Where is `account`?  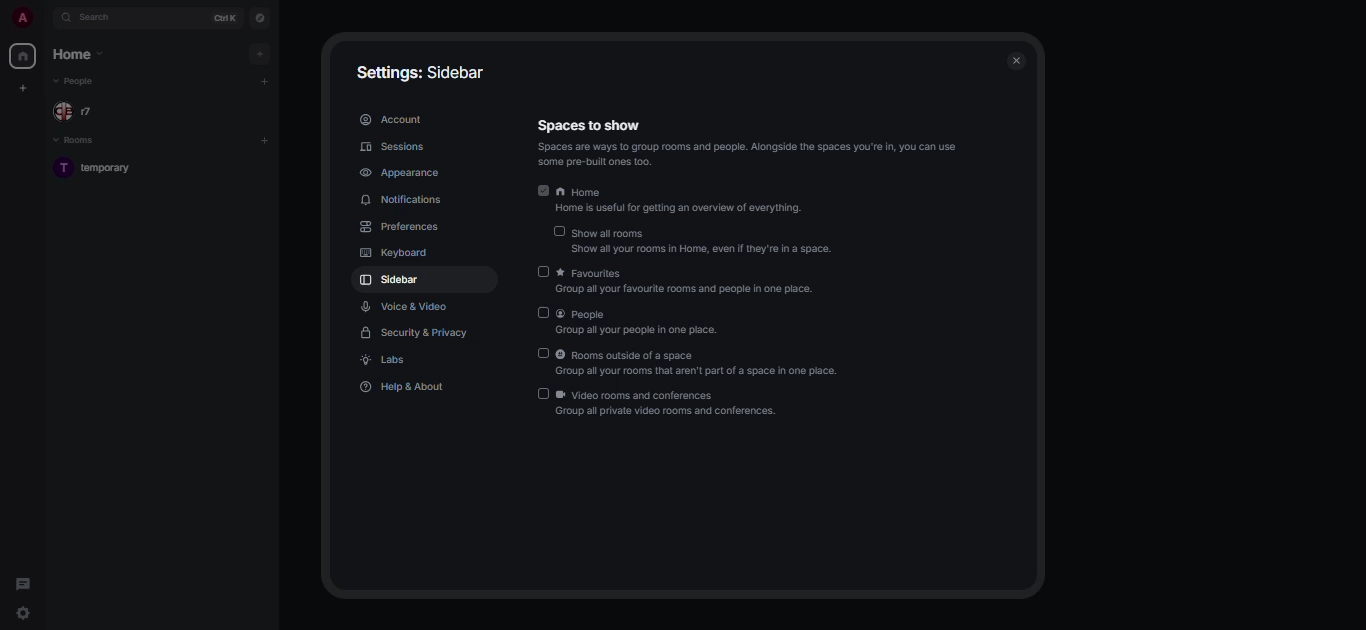 account is located at coordinates (392, 120).